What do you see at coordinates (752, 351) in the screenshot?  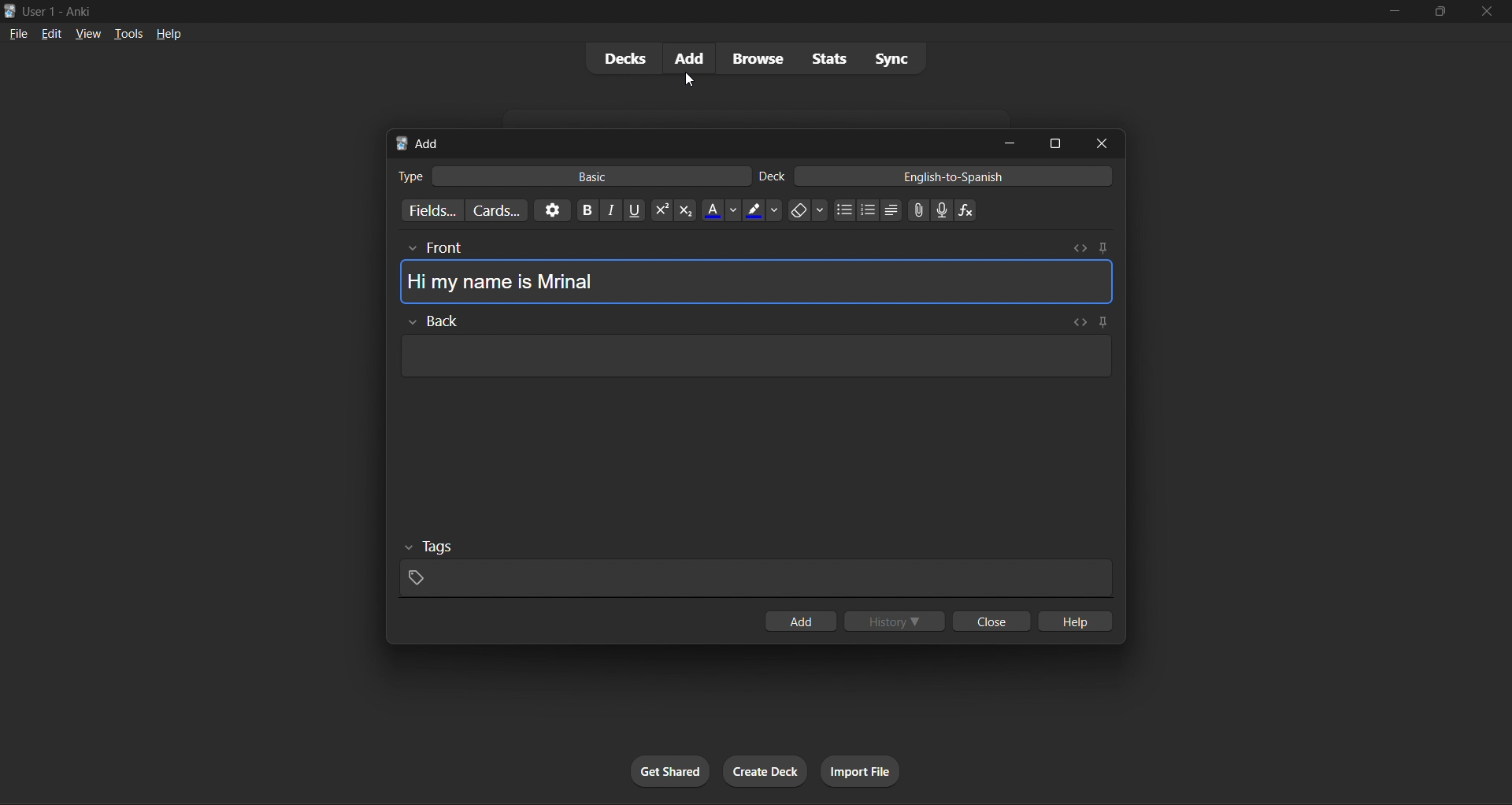 I see `card back text box` at bounding box center [752, 351].